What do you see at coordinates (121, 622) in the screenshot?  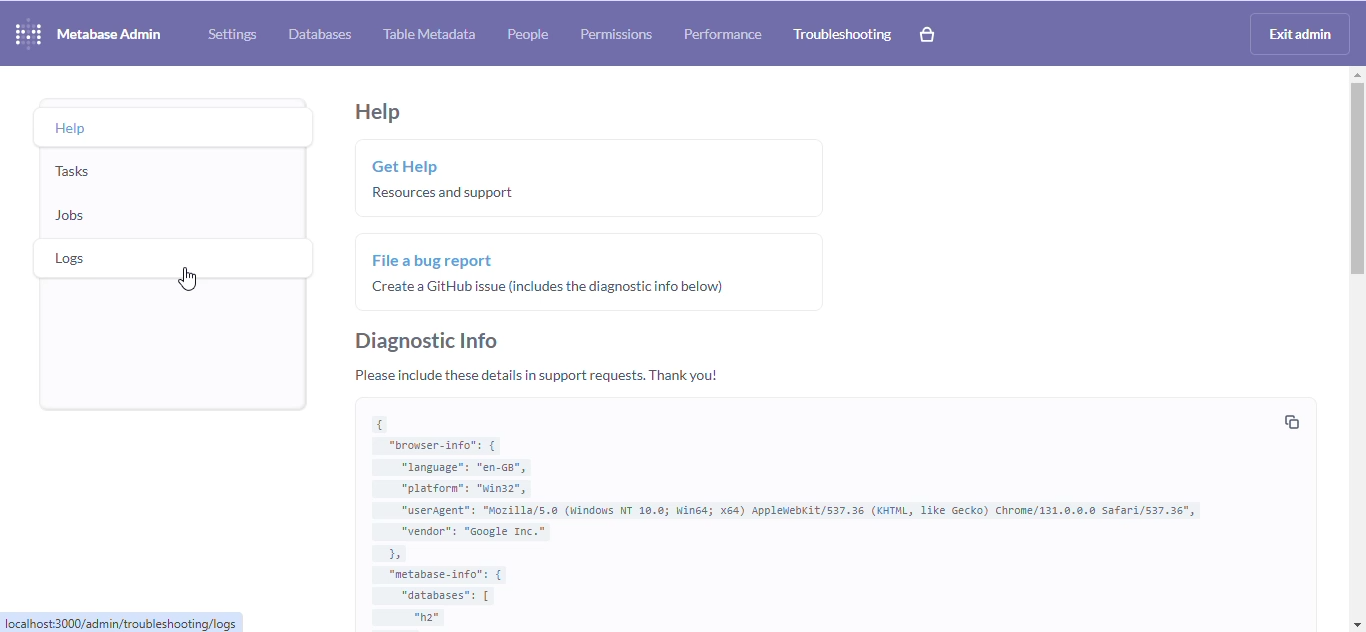 I see `link` at bounding box center [121, 622].